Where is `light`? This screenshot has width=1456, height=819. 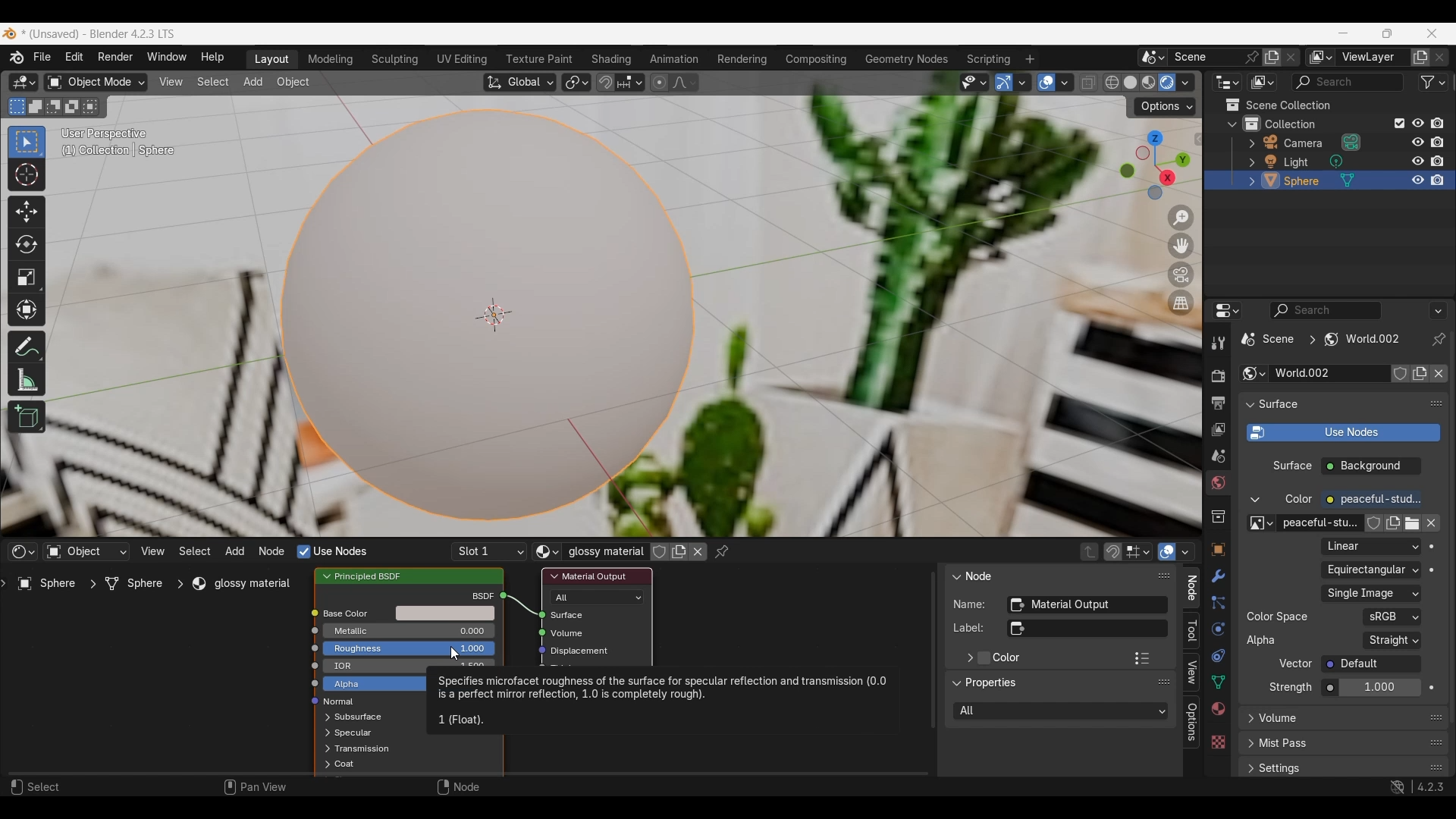 light is located at coordinates (1299, 162).